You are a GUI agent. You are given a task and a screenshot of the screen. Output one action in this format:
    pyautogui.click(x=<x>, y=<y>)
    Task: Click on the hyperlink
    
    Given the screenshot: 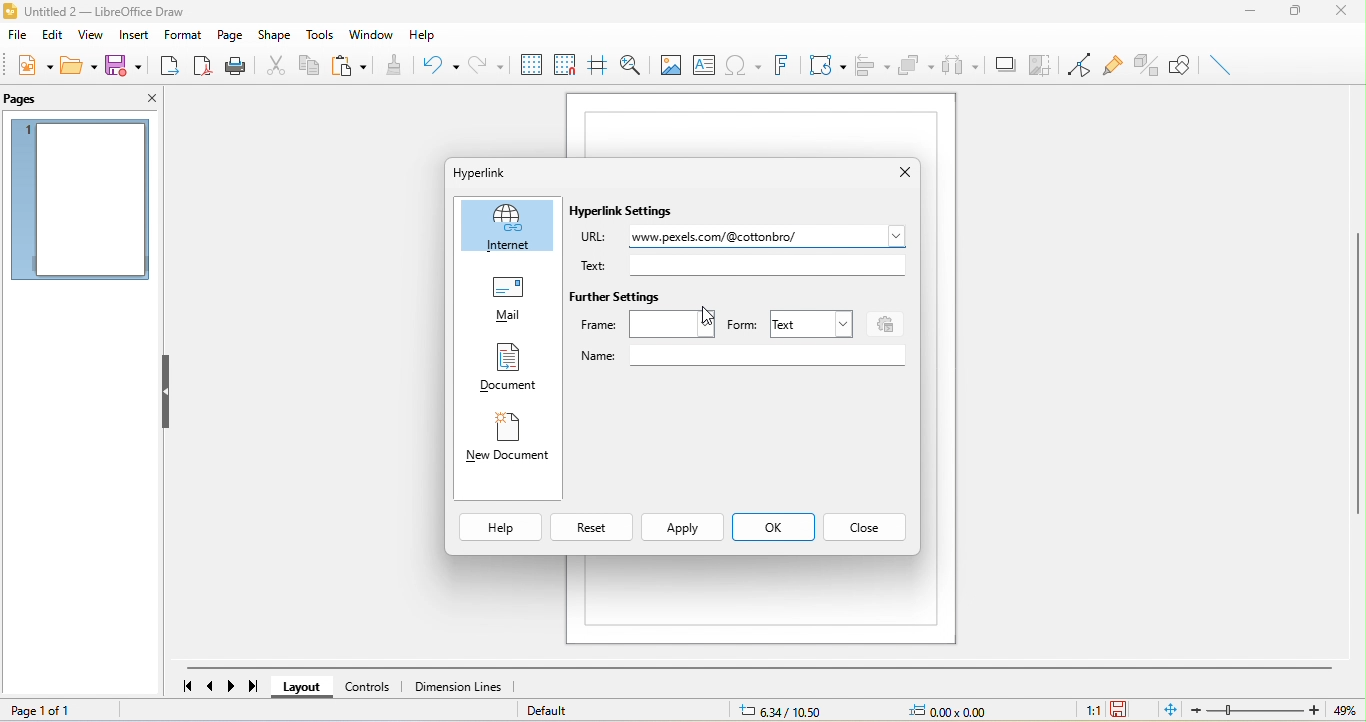 What is the action you would take?
    pyautogui.click(x=481, y=173)
    